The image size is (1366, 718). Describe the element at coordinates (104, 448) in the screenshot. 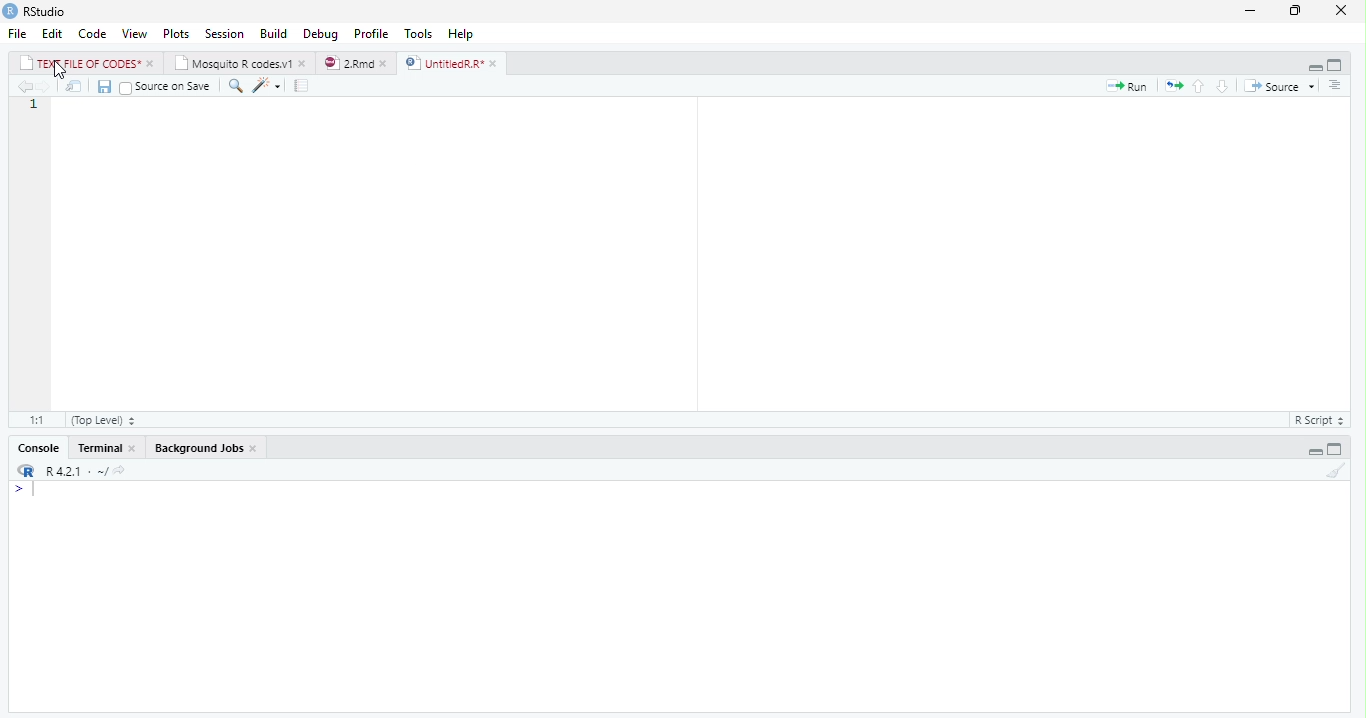

I see `Console` at that location.